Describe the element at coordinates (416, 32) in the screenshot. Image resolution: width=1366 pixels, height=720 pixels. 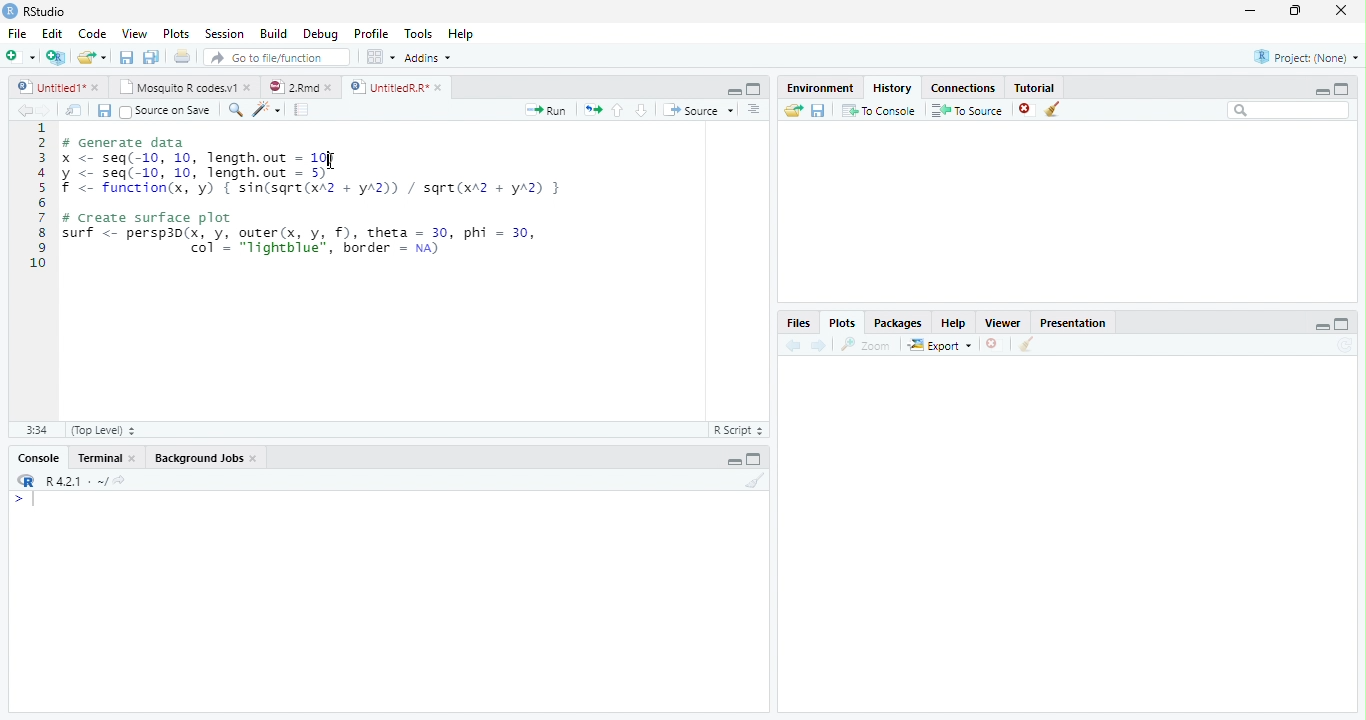
I see `Tools` at that location.